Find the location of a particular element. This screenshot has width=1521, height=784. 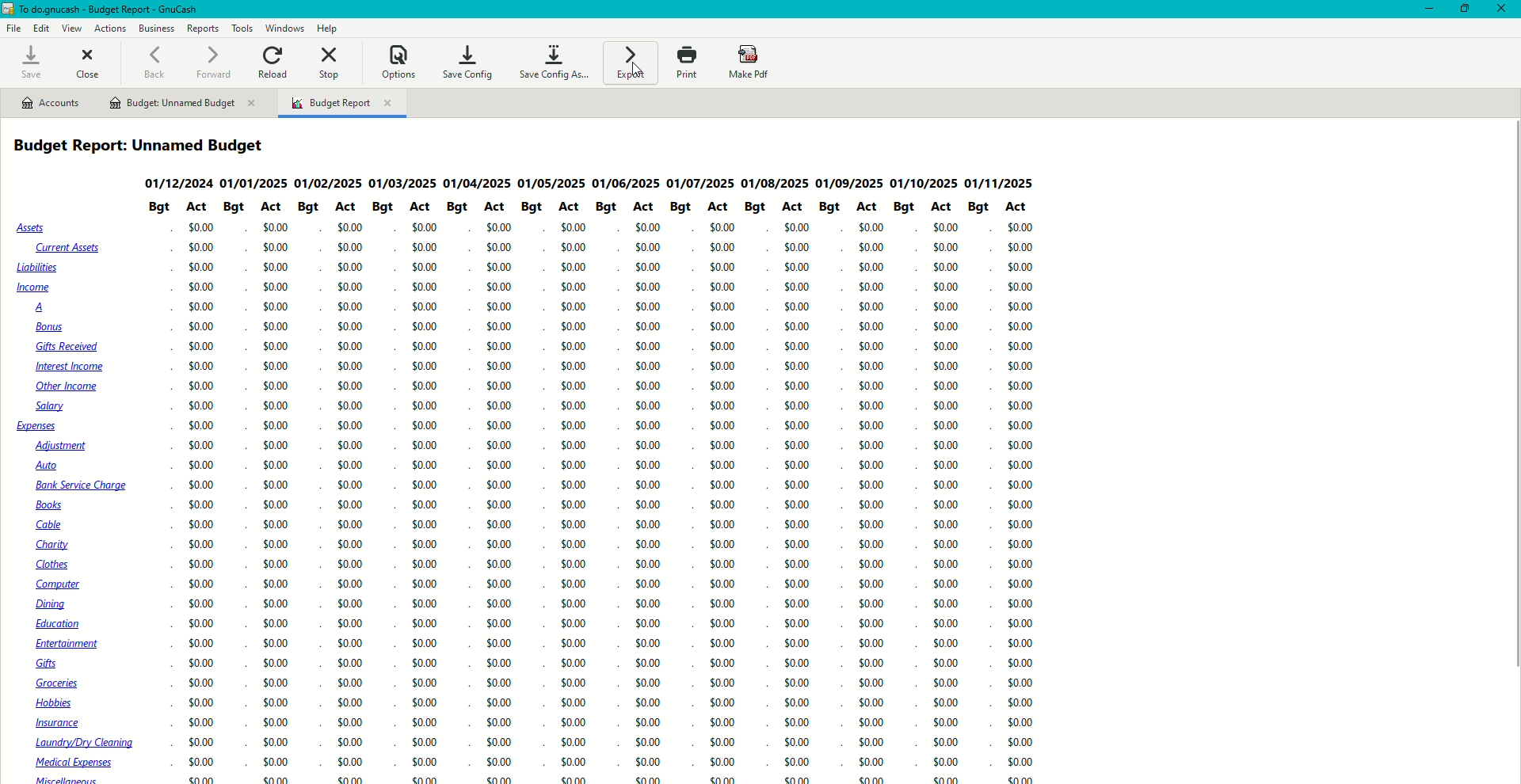

$0.00 is located at coordinates (500, 245).